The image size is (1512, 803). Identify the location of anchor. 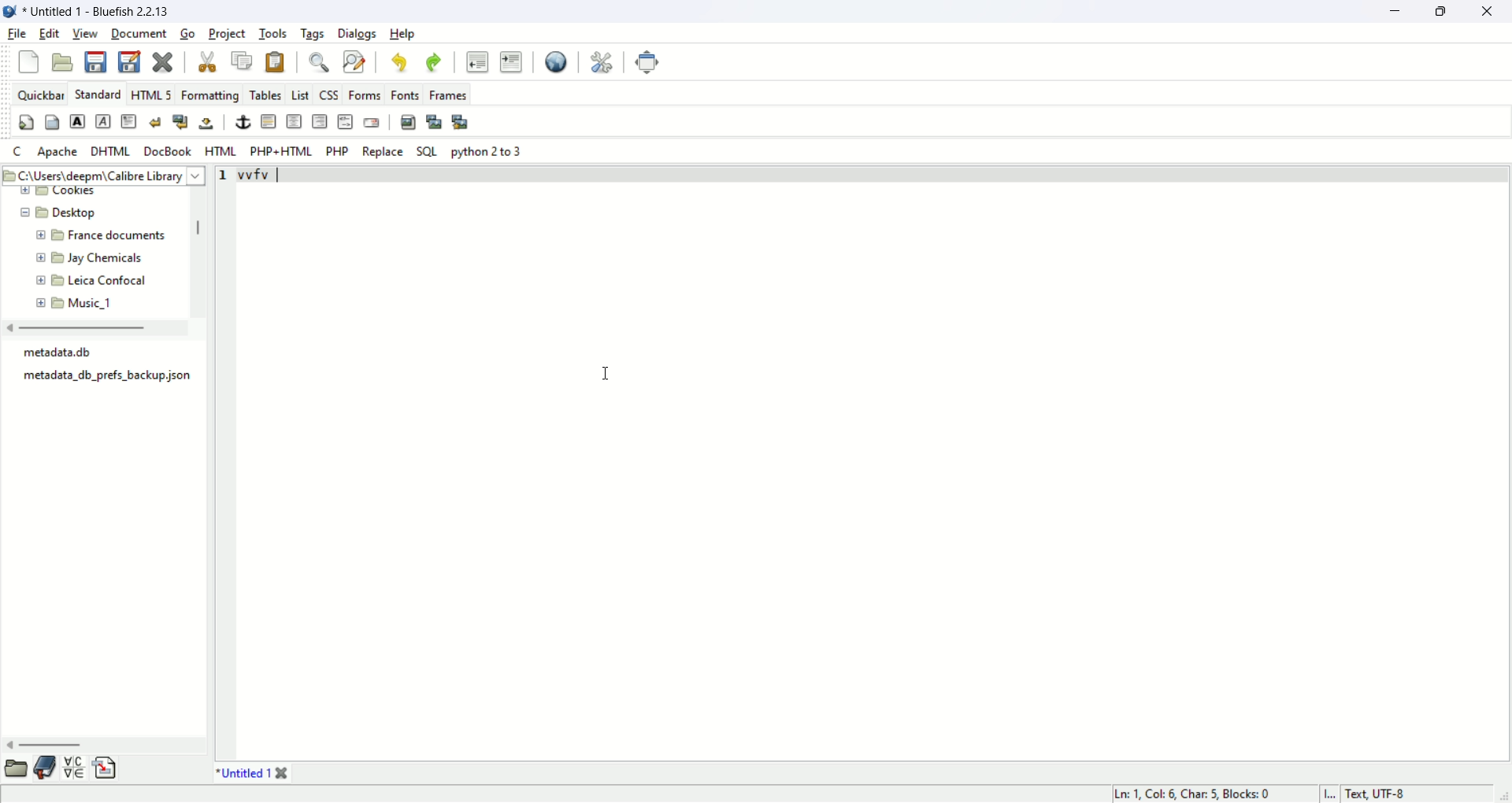
(241, 122).